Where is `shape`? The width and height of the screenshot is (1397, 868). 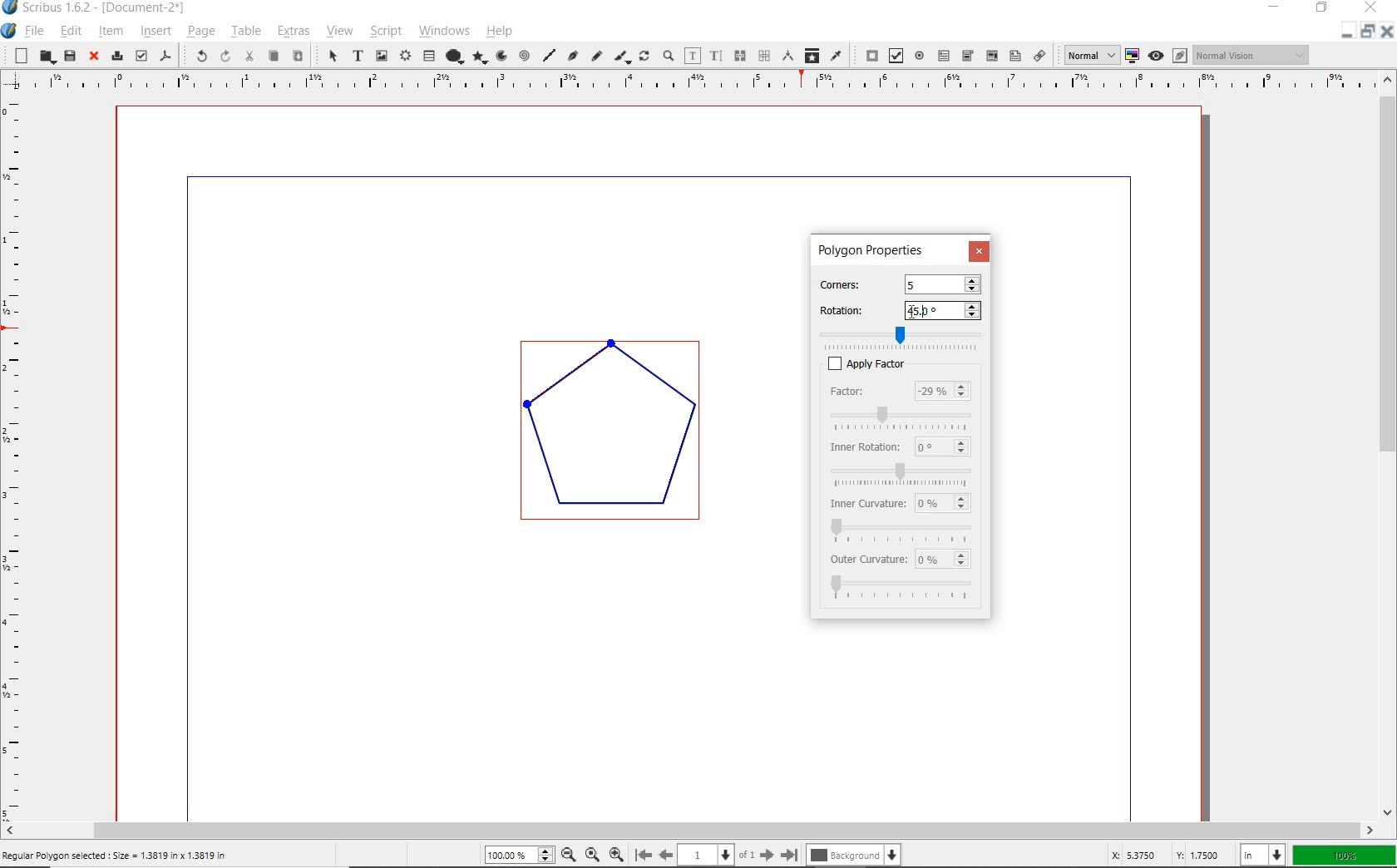
shape is located at coordinates (456, 54).